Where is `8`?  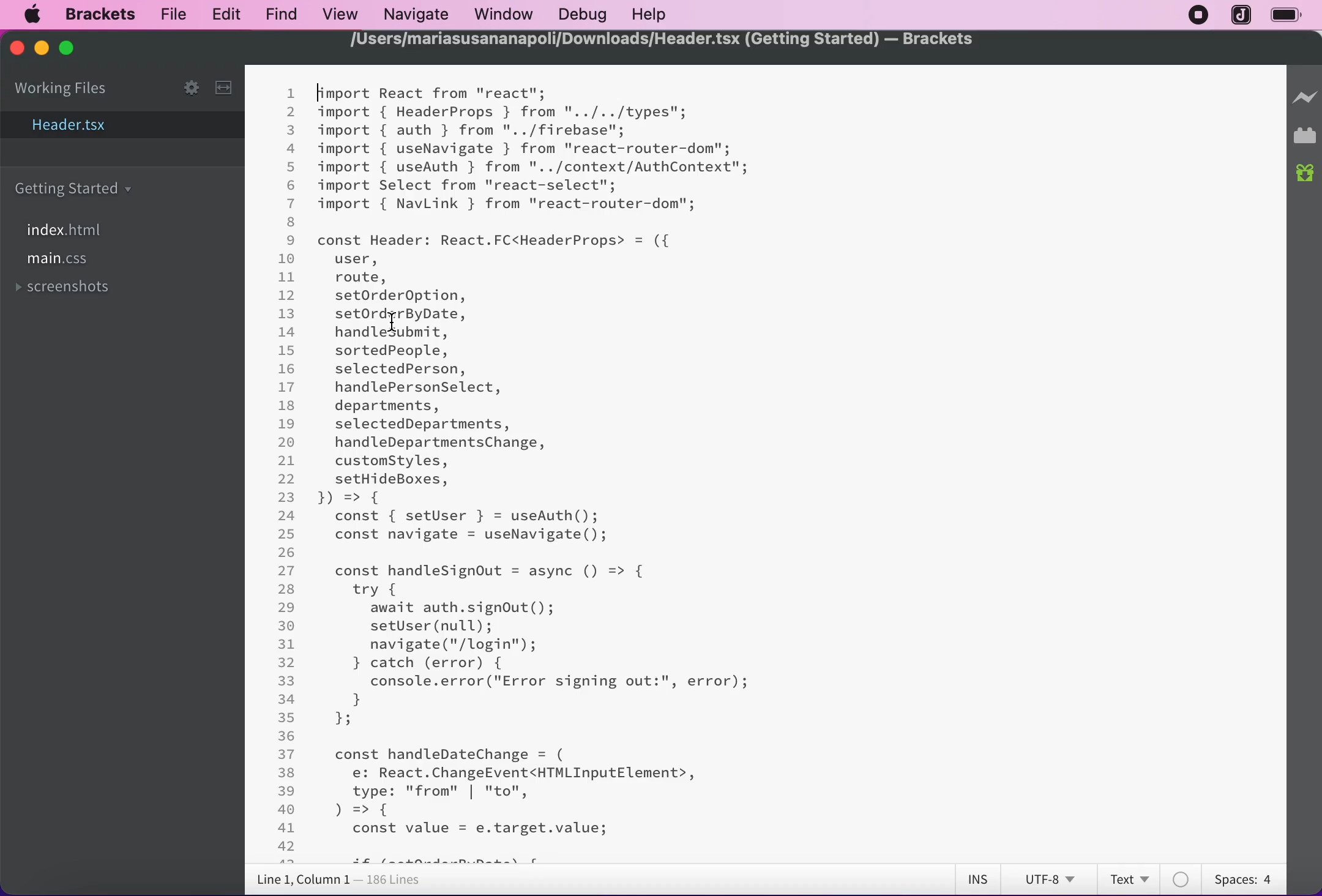 8 is located at coordinates (291, 221).